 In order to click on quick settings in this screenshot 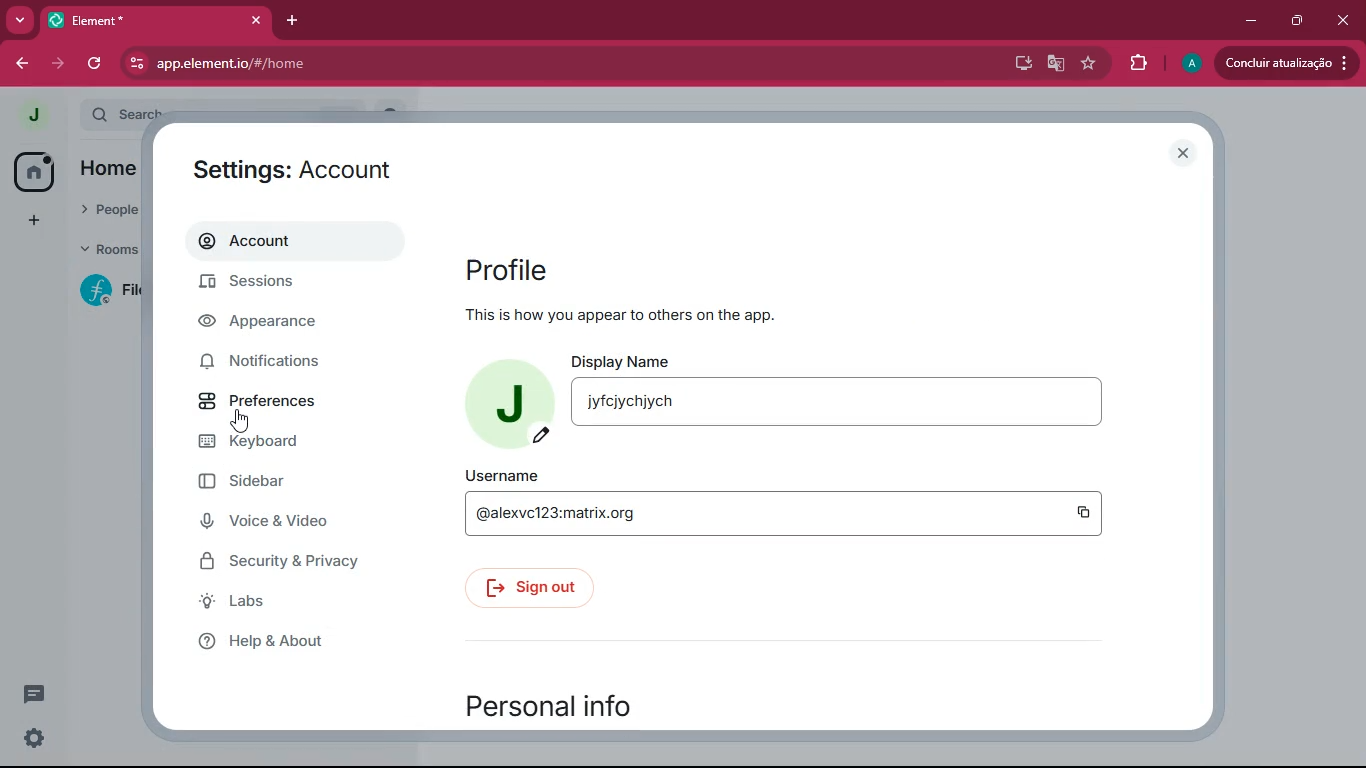, I will do `click(34, 738)`.